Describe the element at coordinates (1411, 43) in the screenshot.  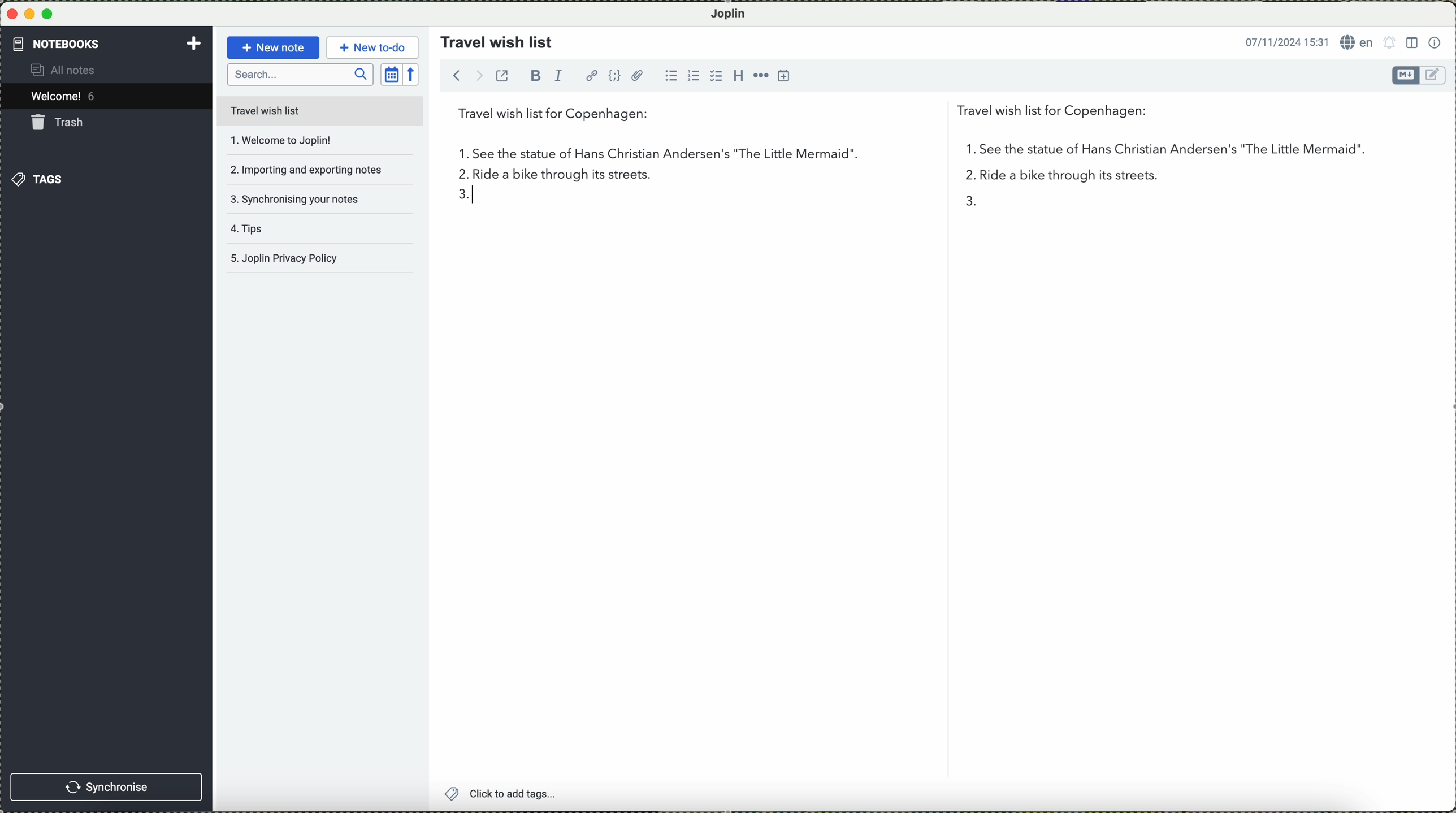
I see `toggle editor layout` at that location.